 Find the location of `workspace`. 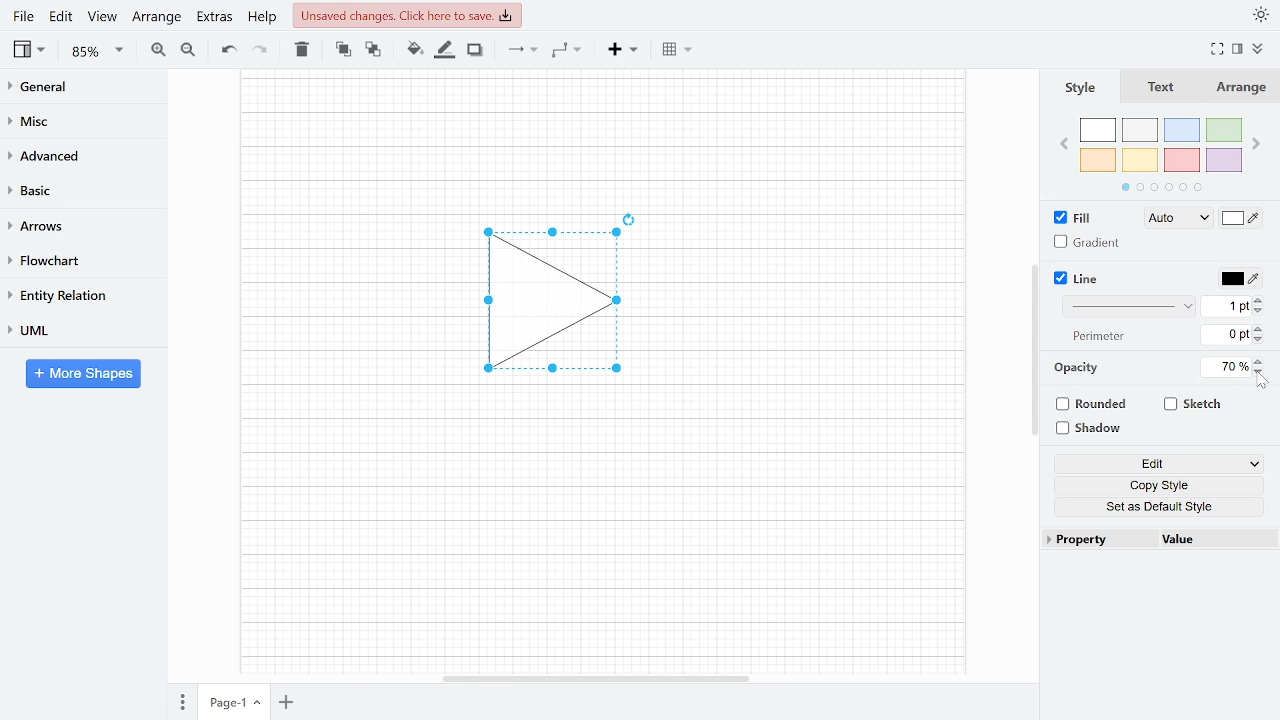

workspace is located at coordinates (819, 302).